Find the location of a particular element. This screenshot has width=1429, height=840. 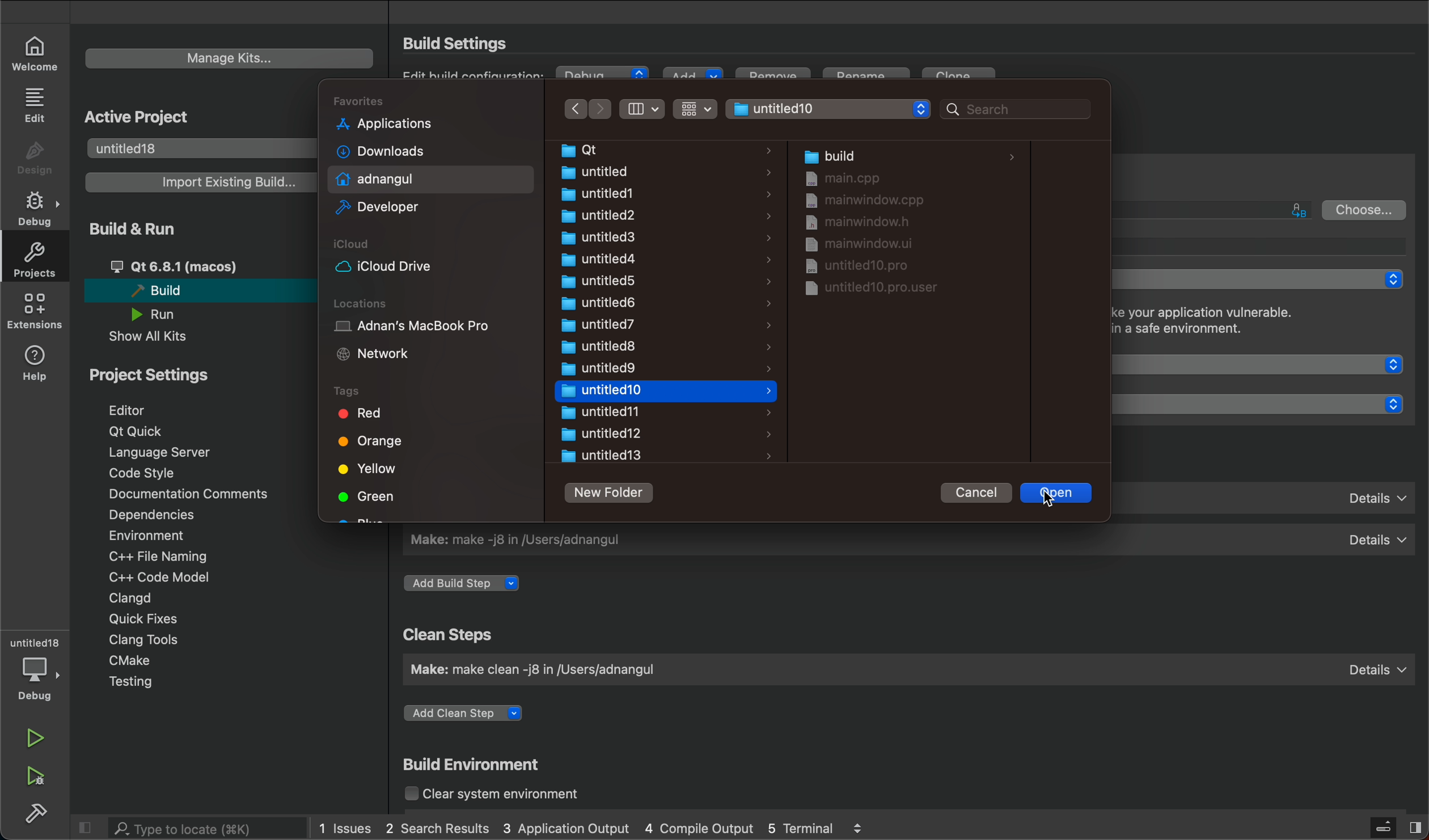

4 Compile Output is located at coordinates (699, 828).